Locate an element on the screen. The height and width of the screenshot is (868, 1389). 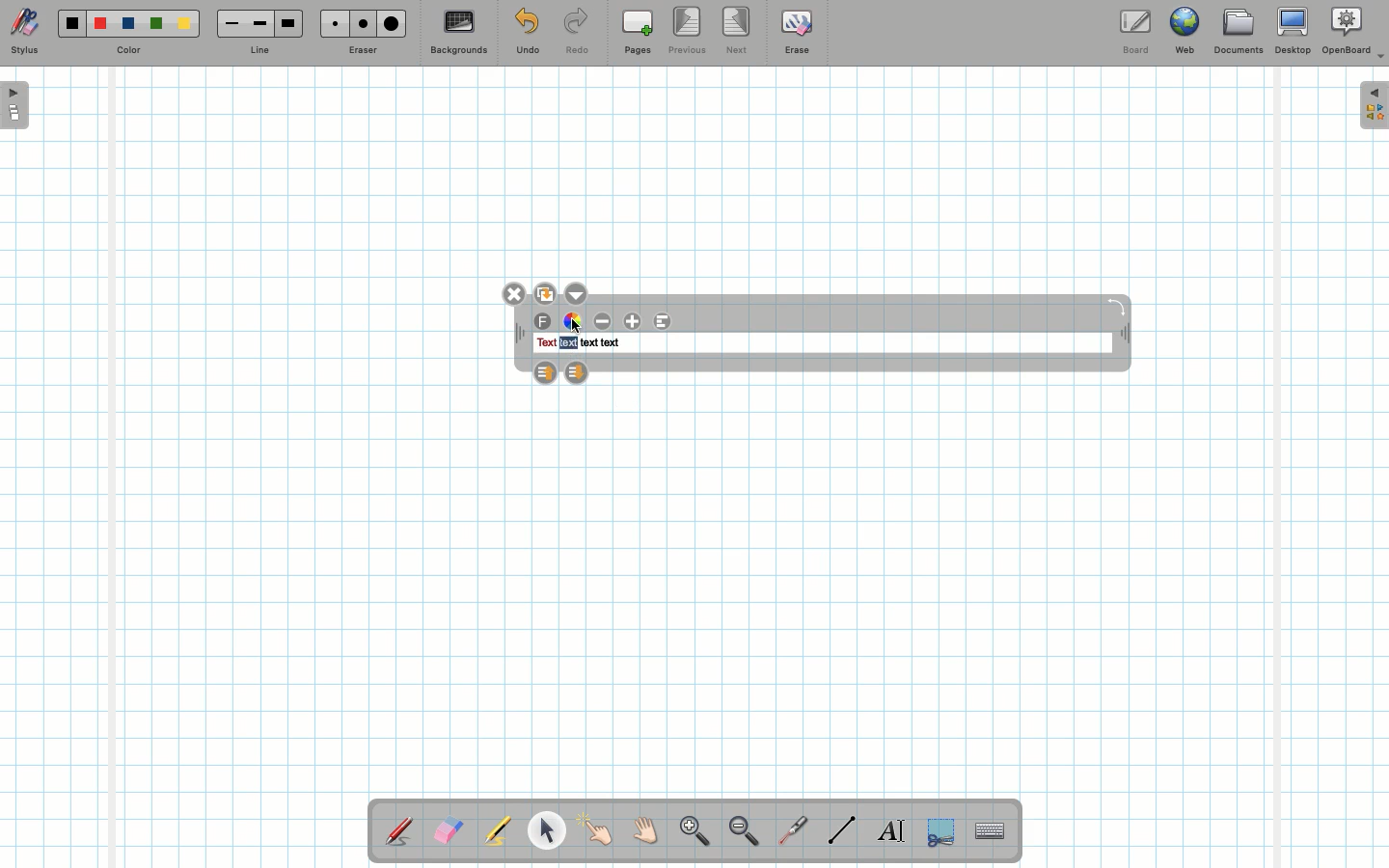
Alignment is located at coordinates (666, 322).